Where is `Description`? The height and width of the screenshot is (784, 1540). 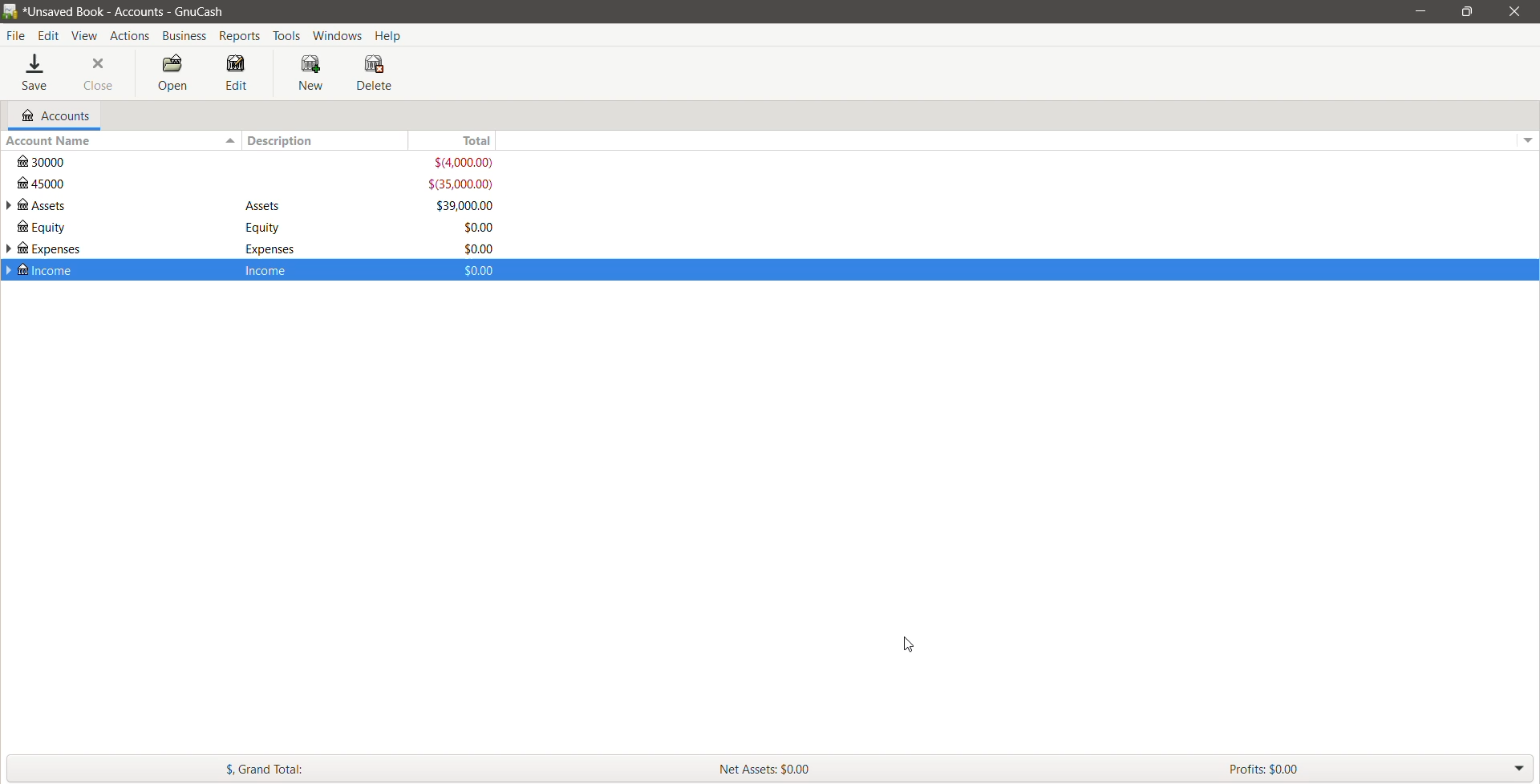
Description is located at coordinates (331, 140).